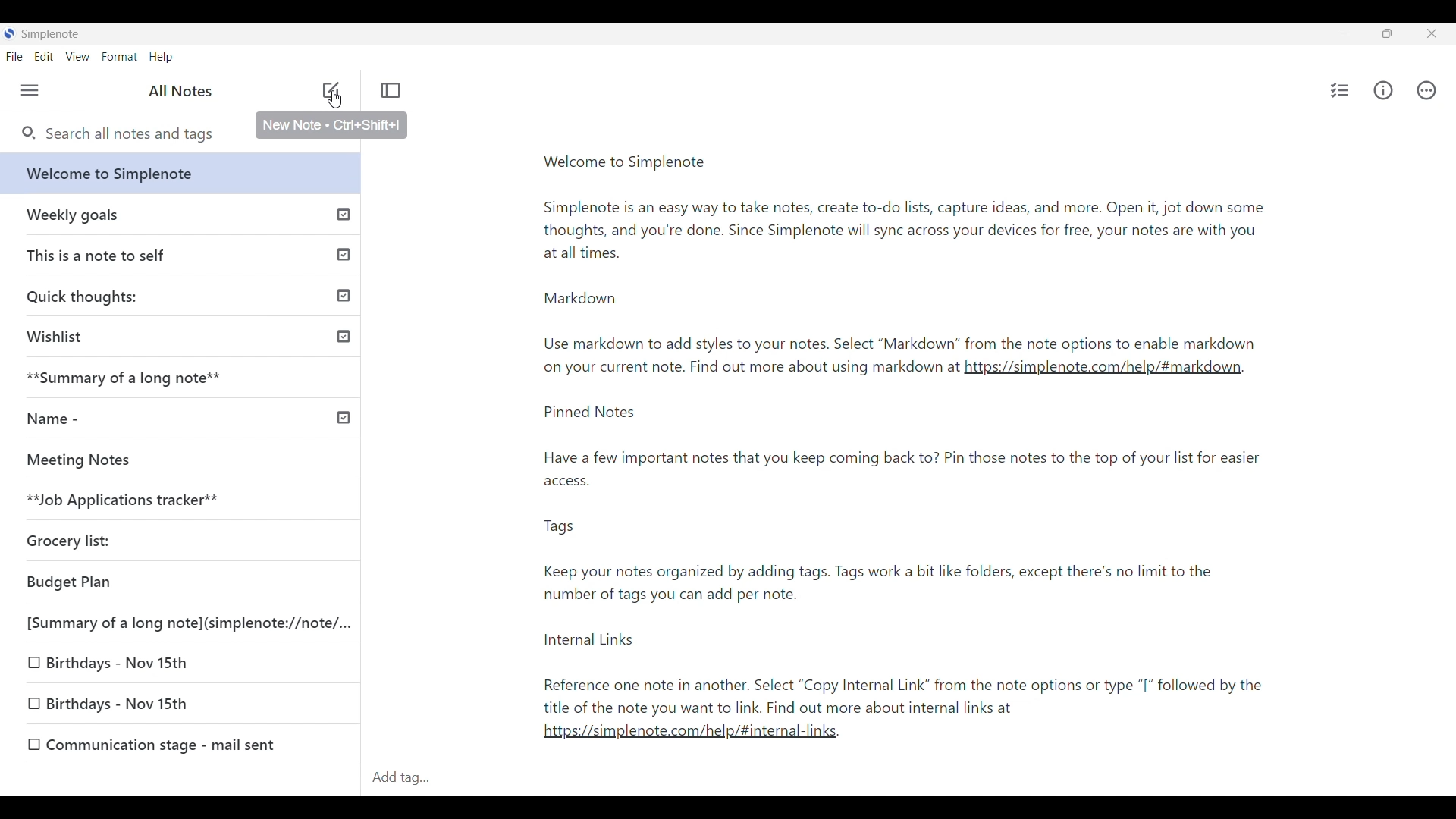 This screenshot has width=1456, height=819. What do you see at coordinates (187, 215) in the screenshot?
I see `Published note indicated by check icon` at bounding box center [187, 215].